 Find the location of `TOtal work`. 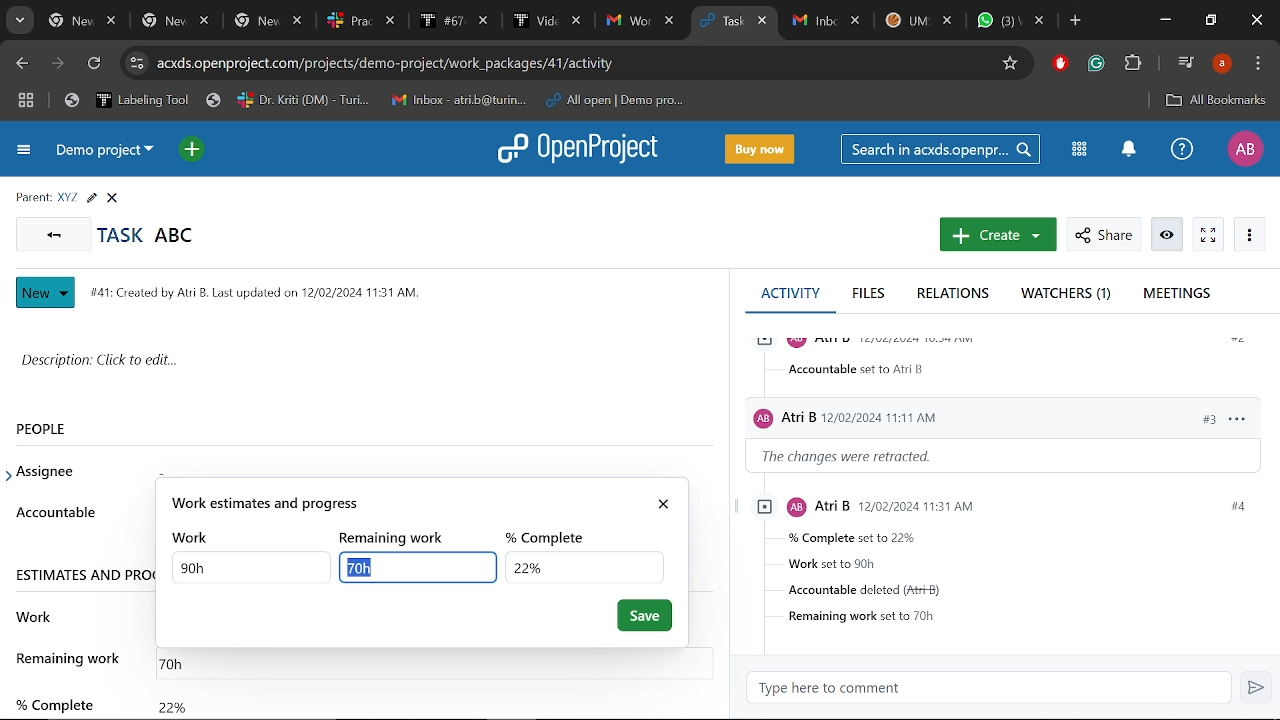

TOtal work is located at coordinates (250, 568).